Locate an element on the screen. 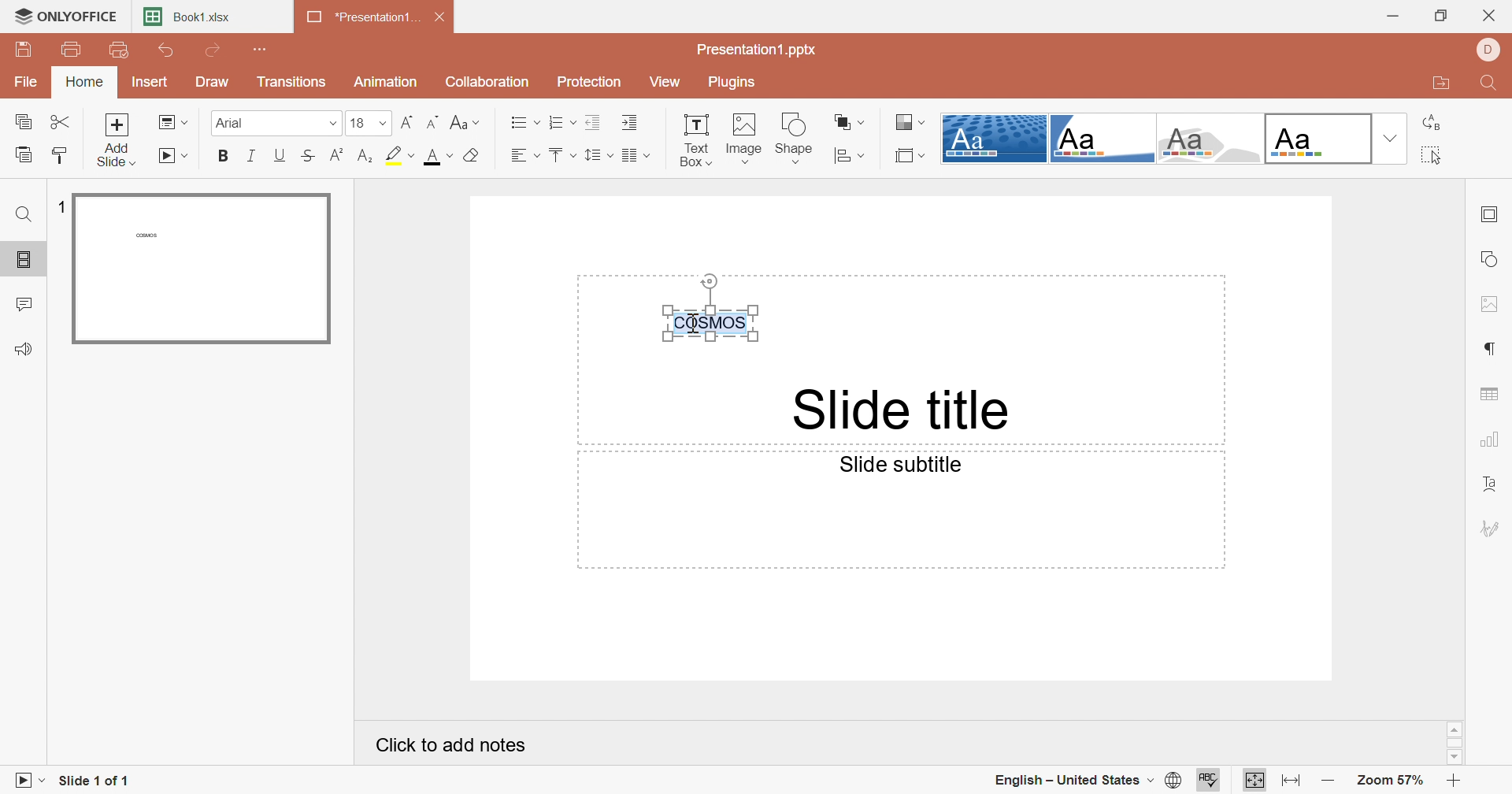 Image resolution: width=1512 pixels, height=794 pixels. Dotted is located at coordinates (993, 138).